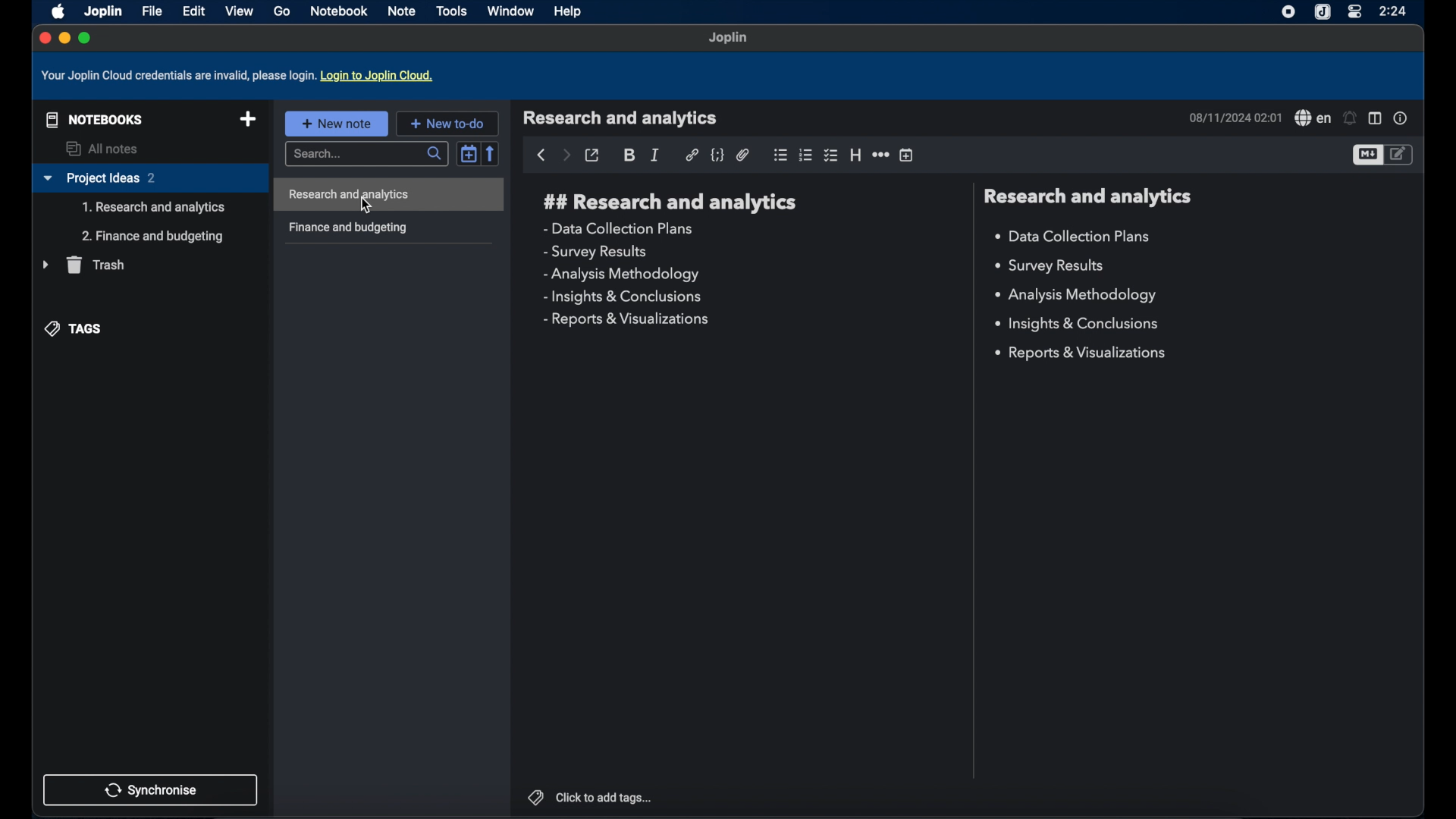  What do you see at coordinates (1375, 119) in the screenshot?
I see `toggle editor layout` at bounding box center [1375, 119].